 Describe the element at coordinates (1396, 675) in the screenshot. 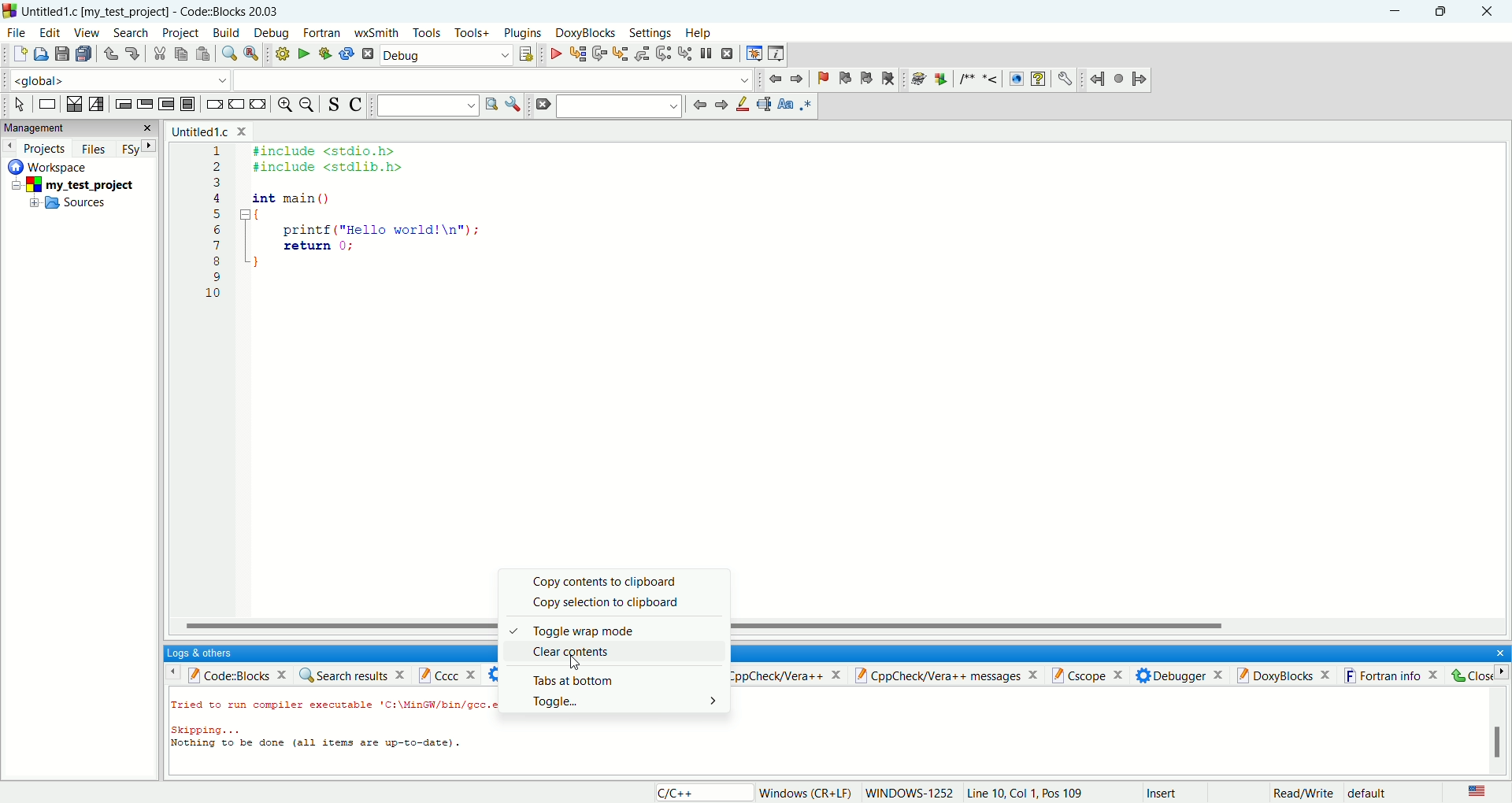

I see `fortran info` at that location.